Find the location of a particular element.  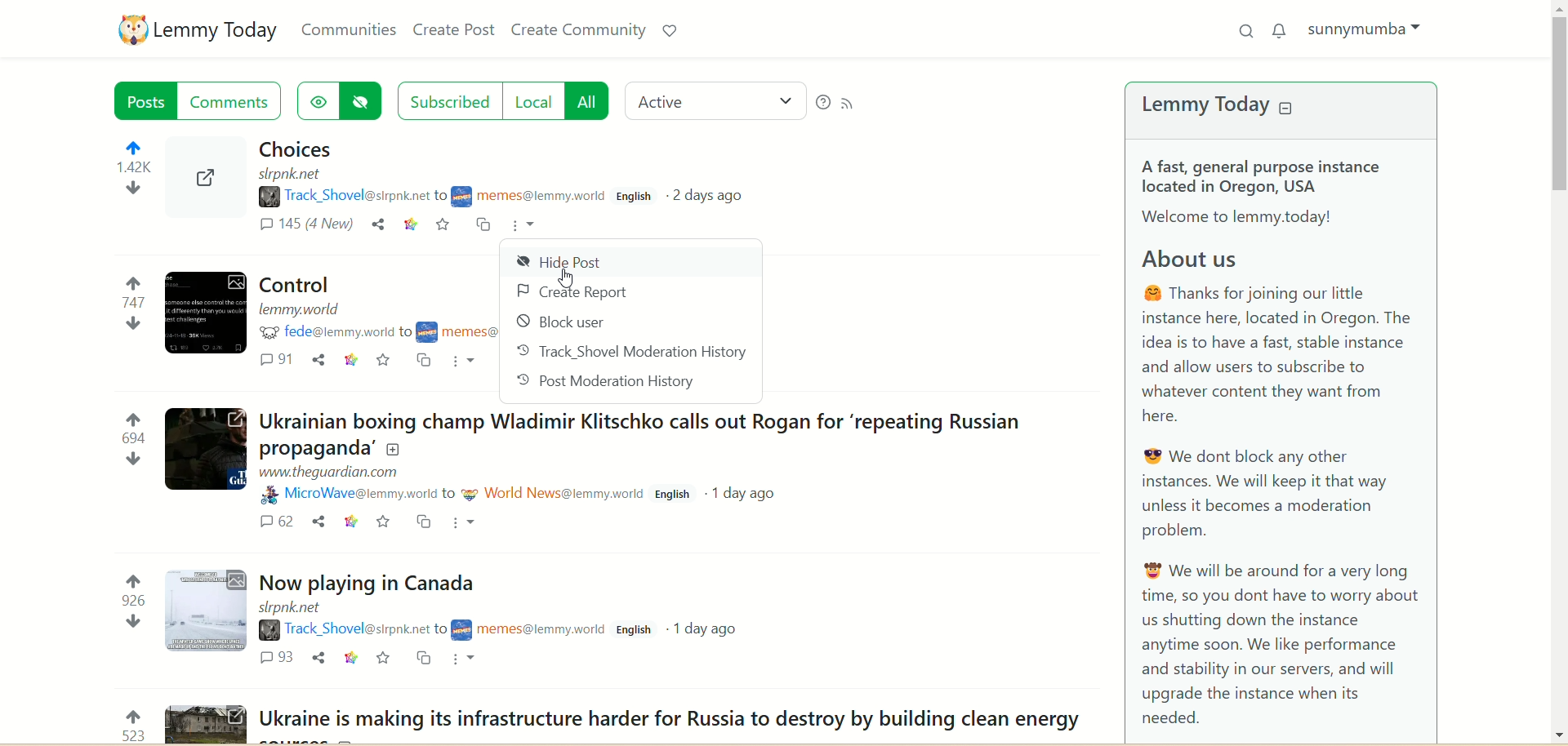

RSS is located at coordinates (853, 106).